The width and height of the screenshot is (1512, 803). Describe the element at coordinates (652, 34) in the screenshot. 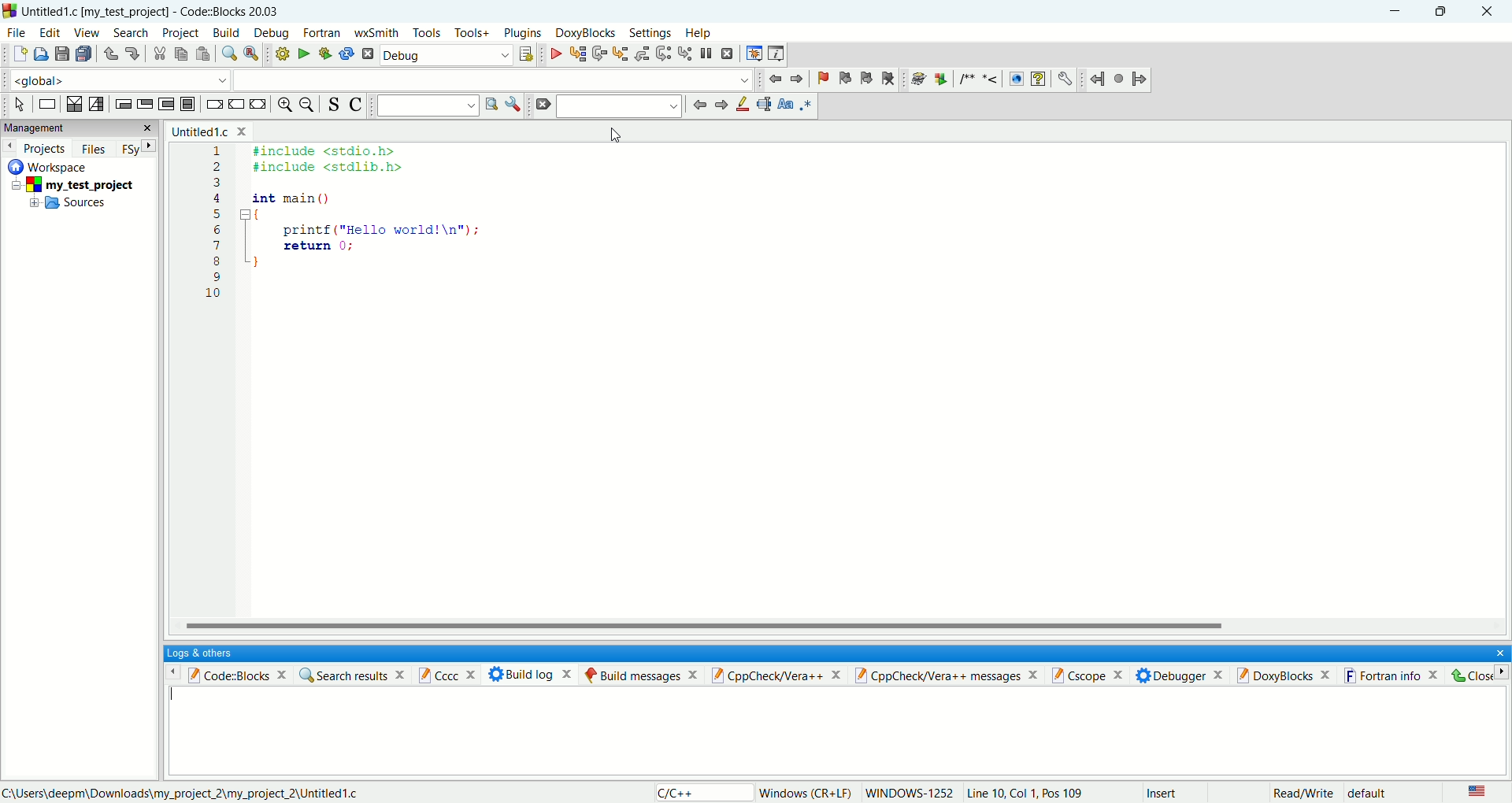

I see `setting` at that location.